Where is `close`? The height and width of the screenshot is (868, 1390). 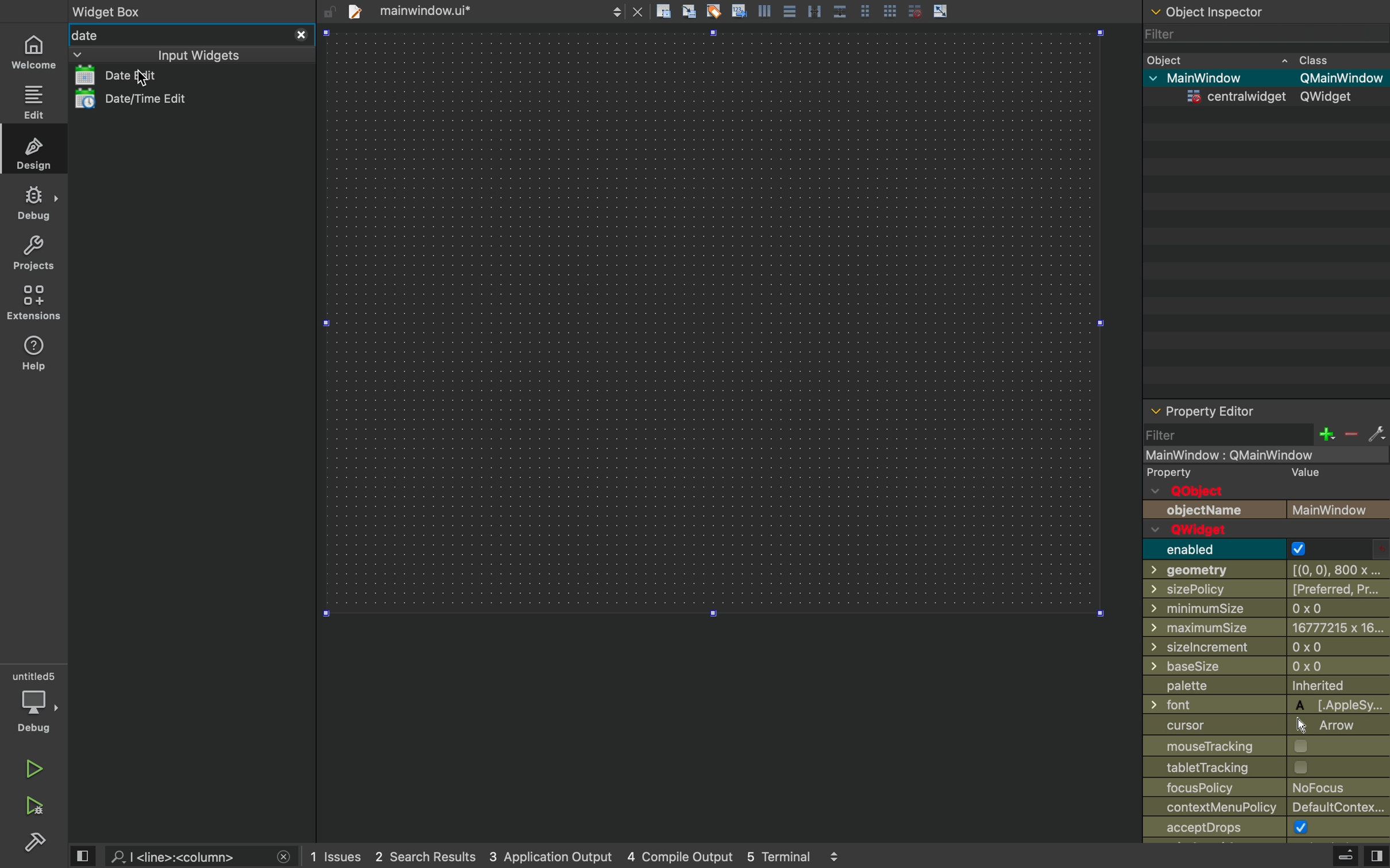
close is located at coordinates (284, 858).